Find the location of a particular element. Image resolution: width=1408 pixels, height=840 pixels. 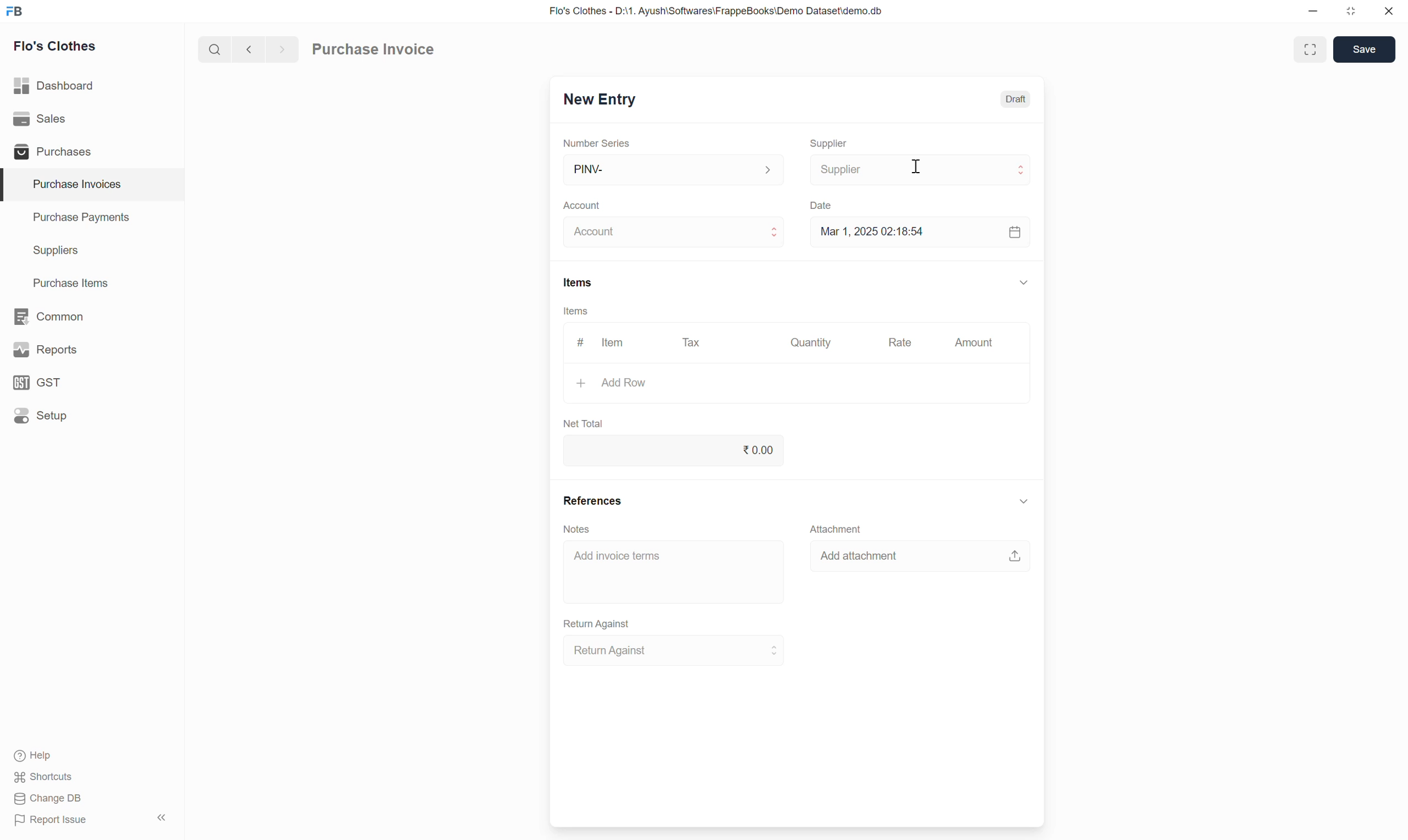

Toggle between form and full width is located at coordinates (1309, 49).